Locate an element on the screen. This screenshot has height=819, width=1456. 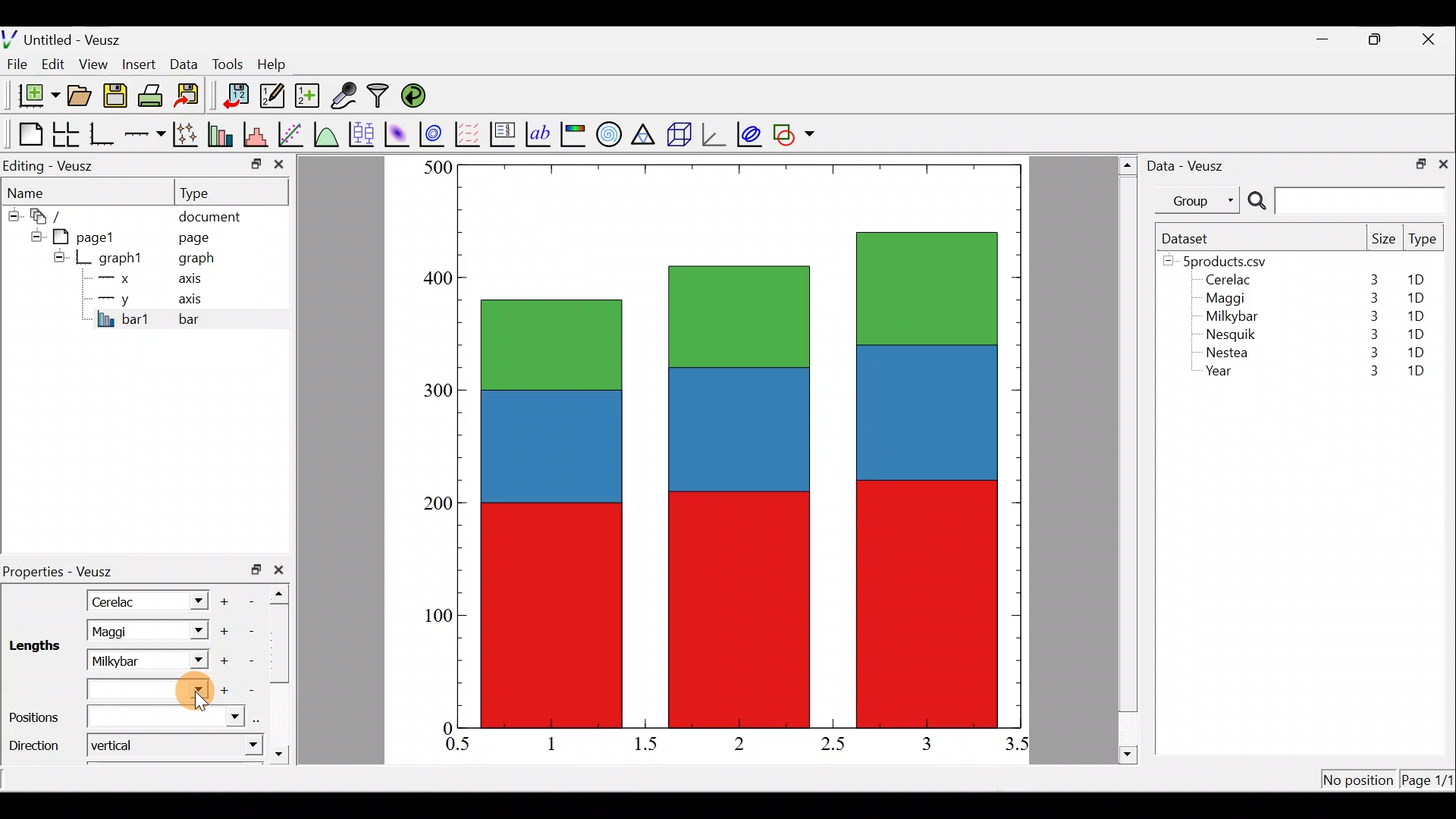
minimize is located at coordinates (1330, 38).